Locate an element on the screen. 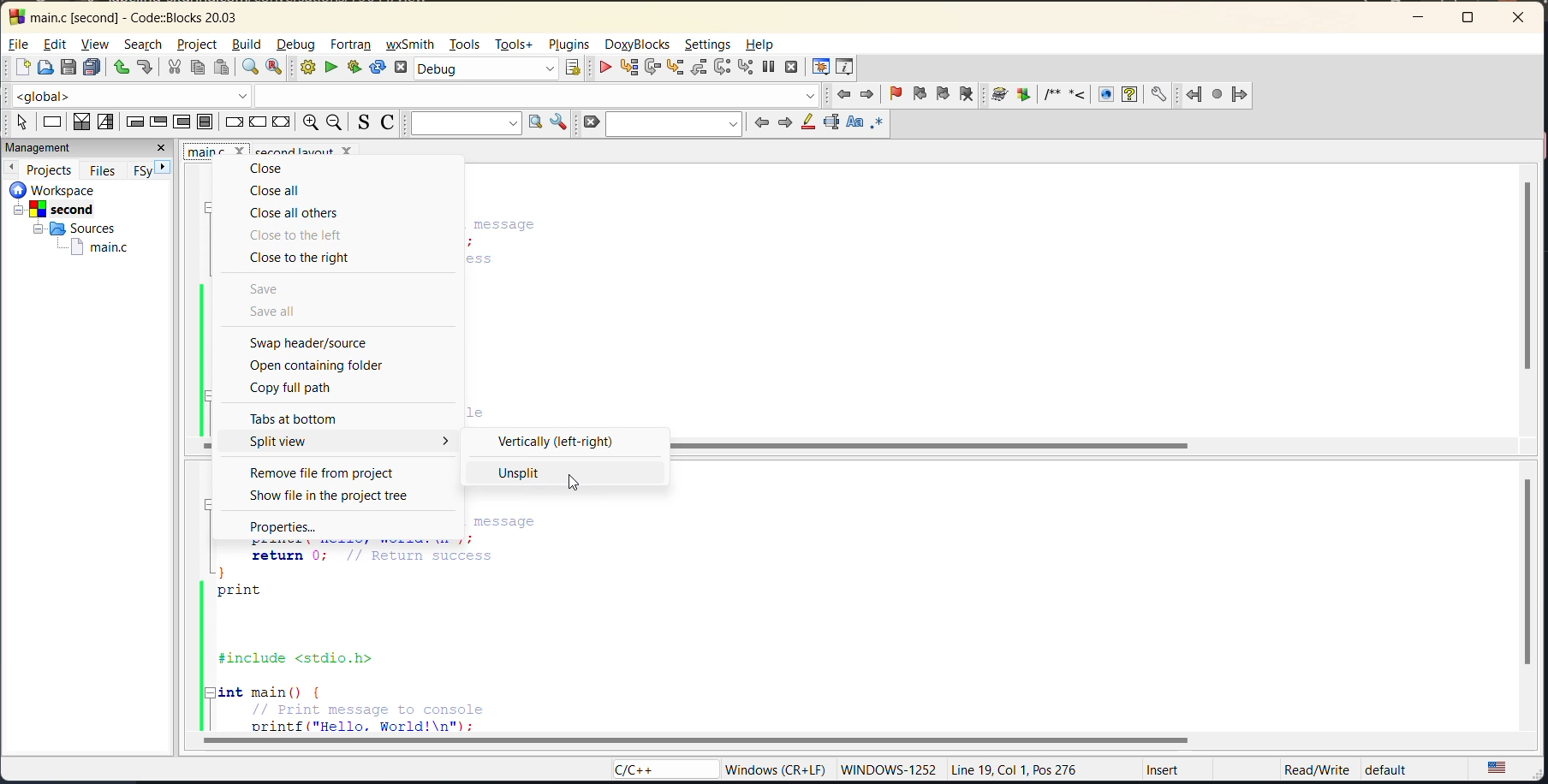  next instruction is located at coordinates (723, 68).